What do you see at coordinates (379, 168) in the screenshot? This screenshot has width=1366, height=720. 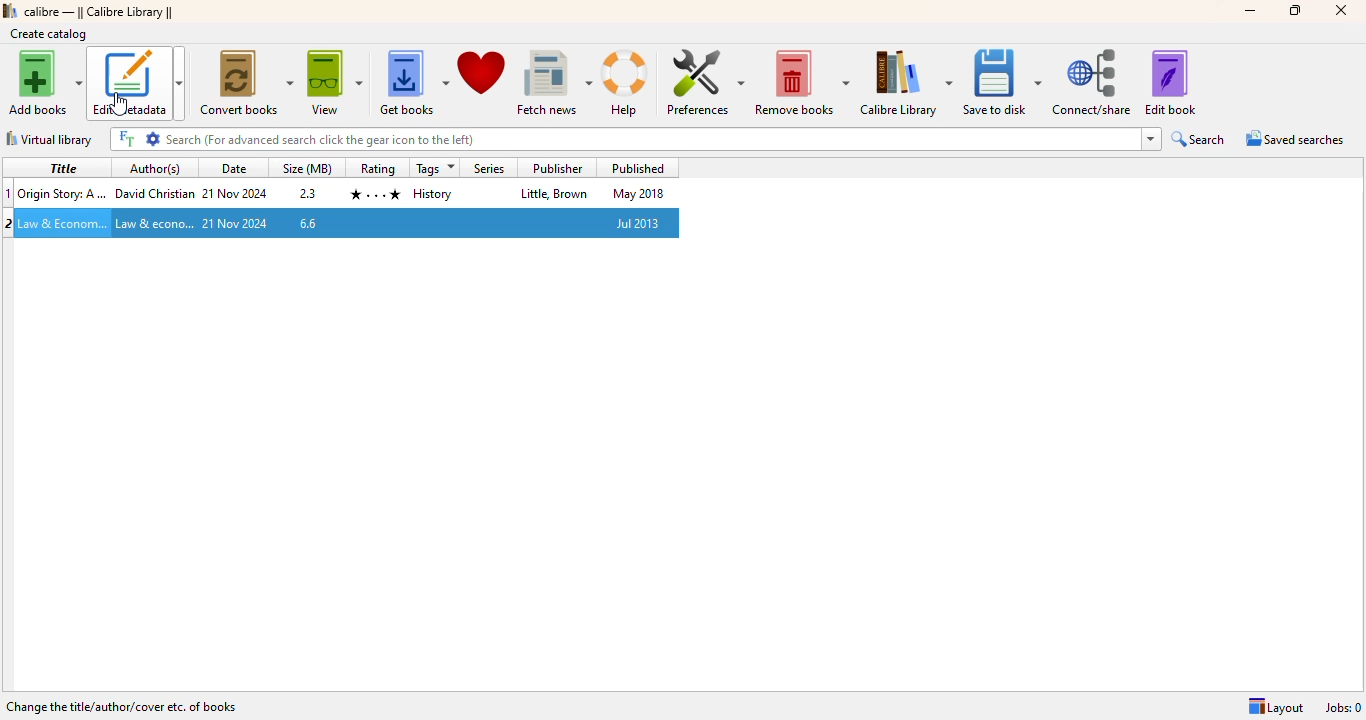 I see `rating` at bounding box center [379, 168].